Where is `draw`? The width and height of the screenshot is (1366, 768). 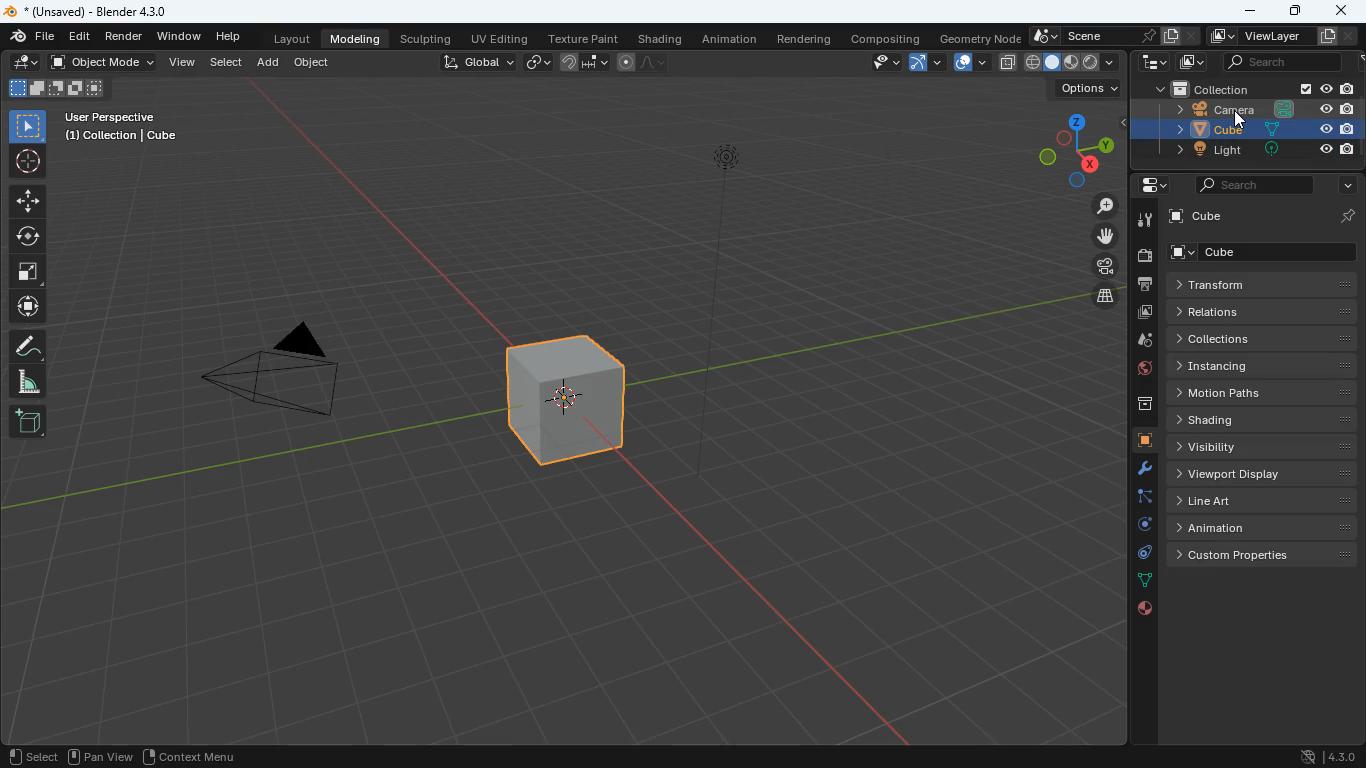 draw is located at coordinates (27, 344).